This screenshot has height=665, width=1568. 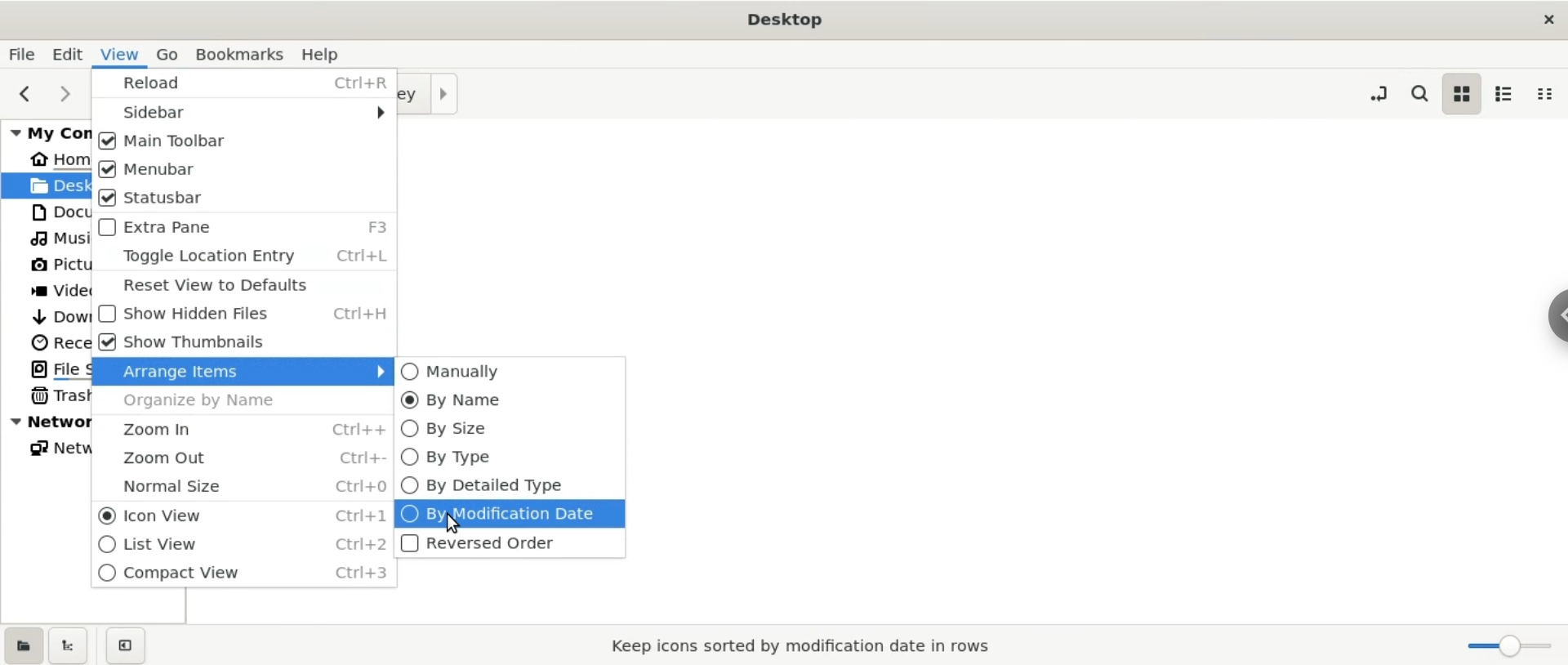 What do you see at coordinates (243, 115) in the screenshot?
I see `sidebar` at bounding box center [243, 115].